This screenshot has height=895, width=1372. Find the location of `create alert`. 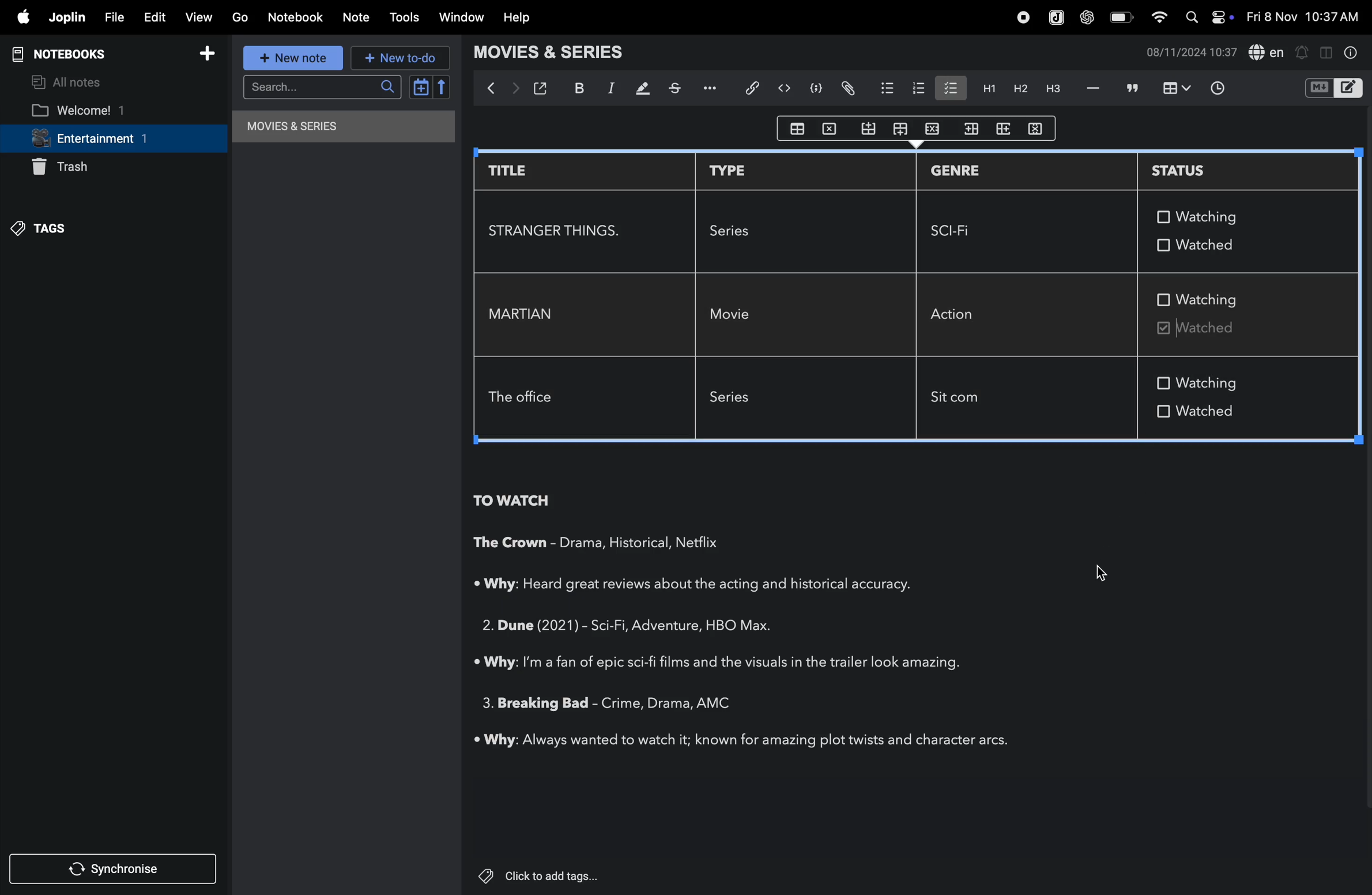

create alert is located at coordinates (1304, 51).